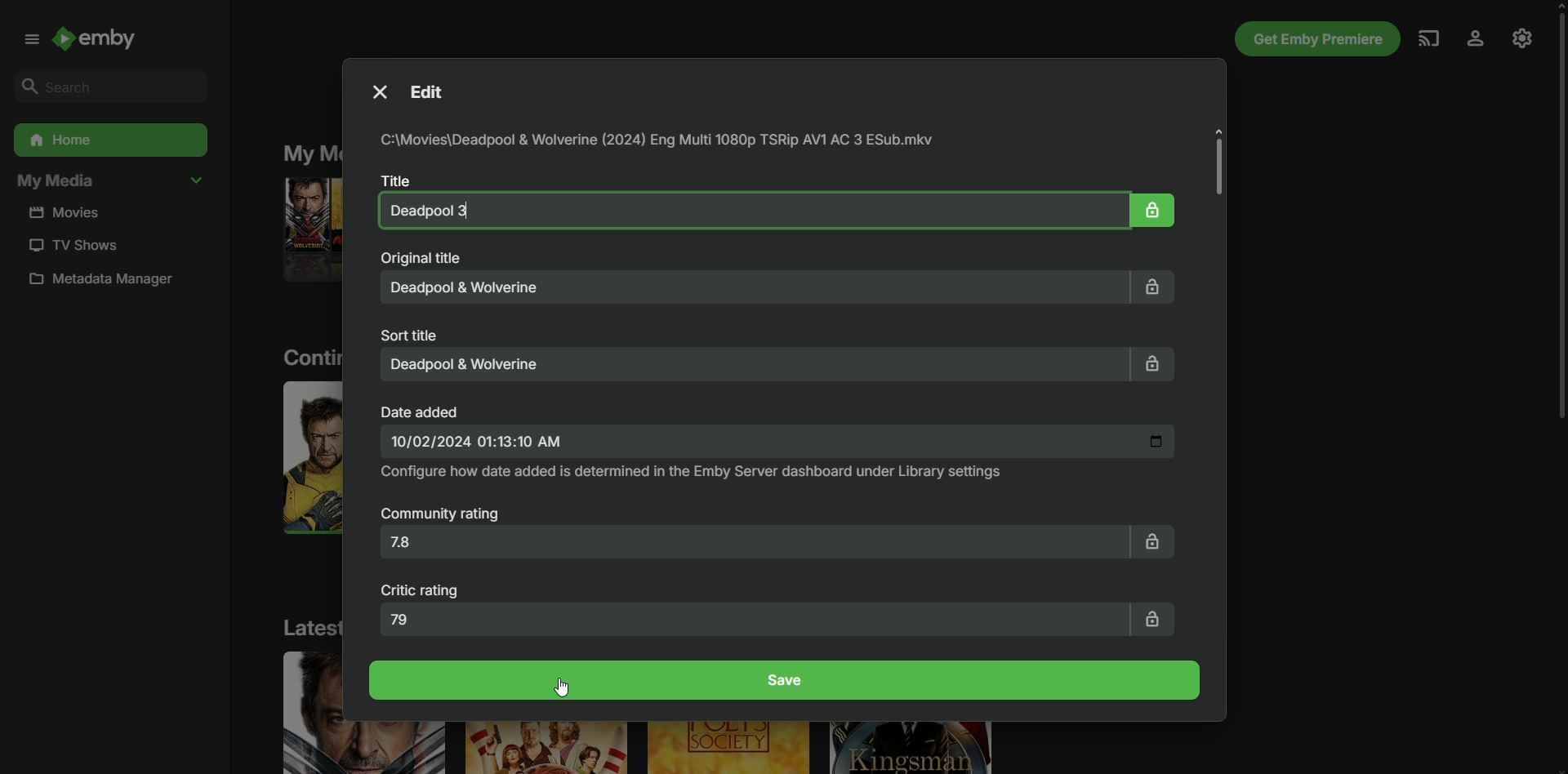 The width and height of the screenshot is (1568, 774). What do you see at coordinates (105, 42) in the screenshot?
I see `Emby` at bounding box center [105, 42].